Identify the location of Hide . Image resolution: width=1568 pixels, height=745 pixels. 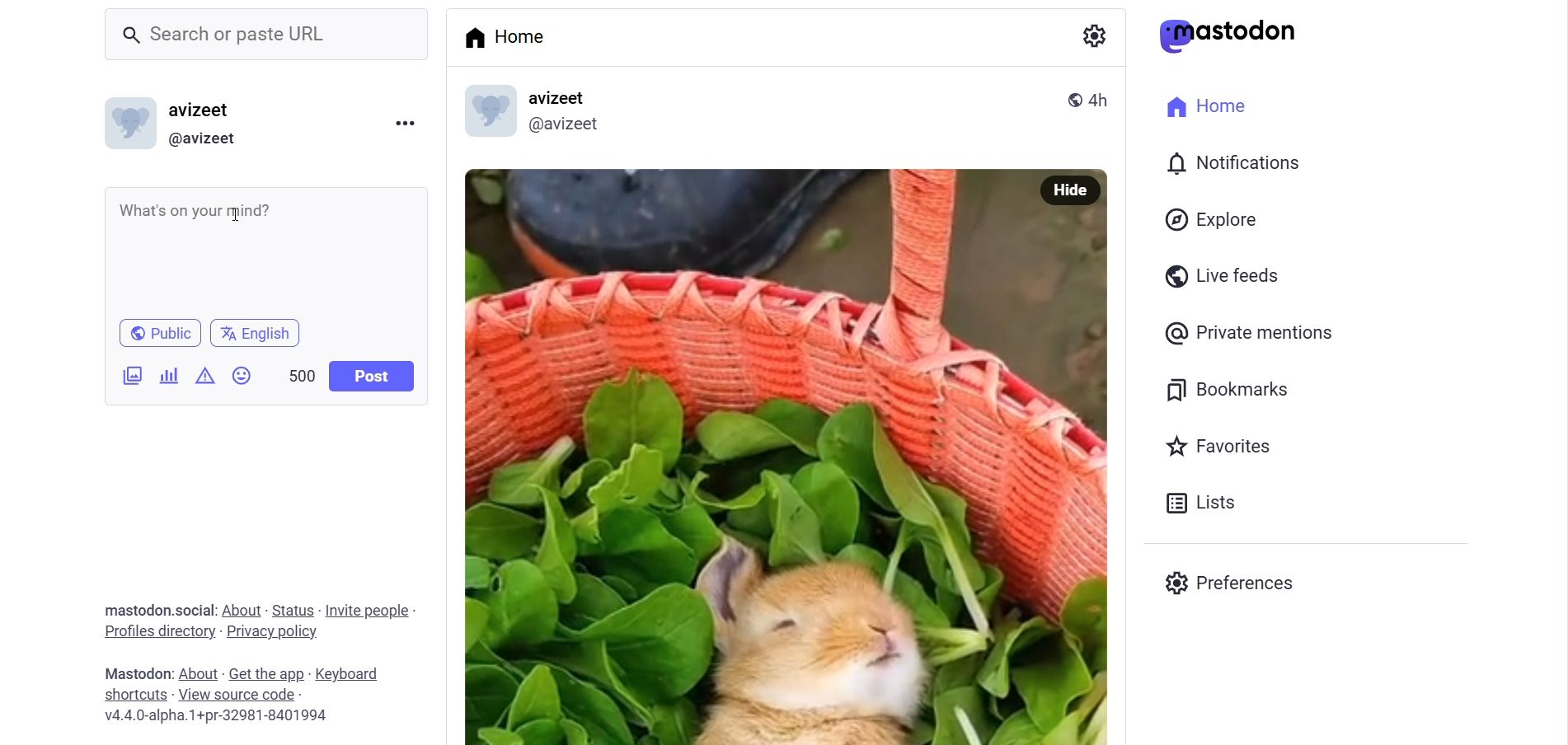
(1069, 189).